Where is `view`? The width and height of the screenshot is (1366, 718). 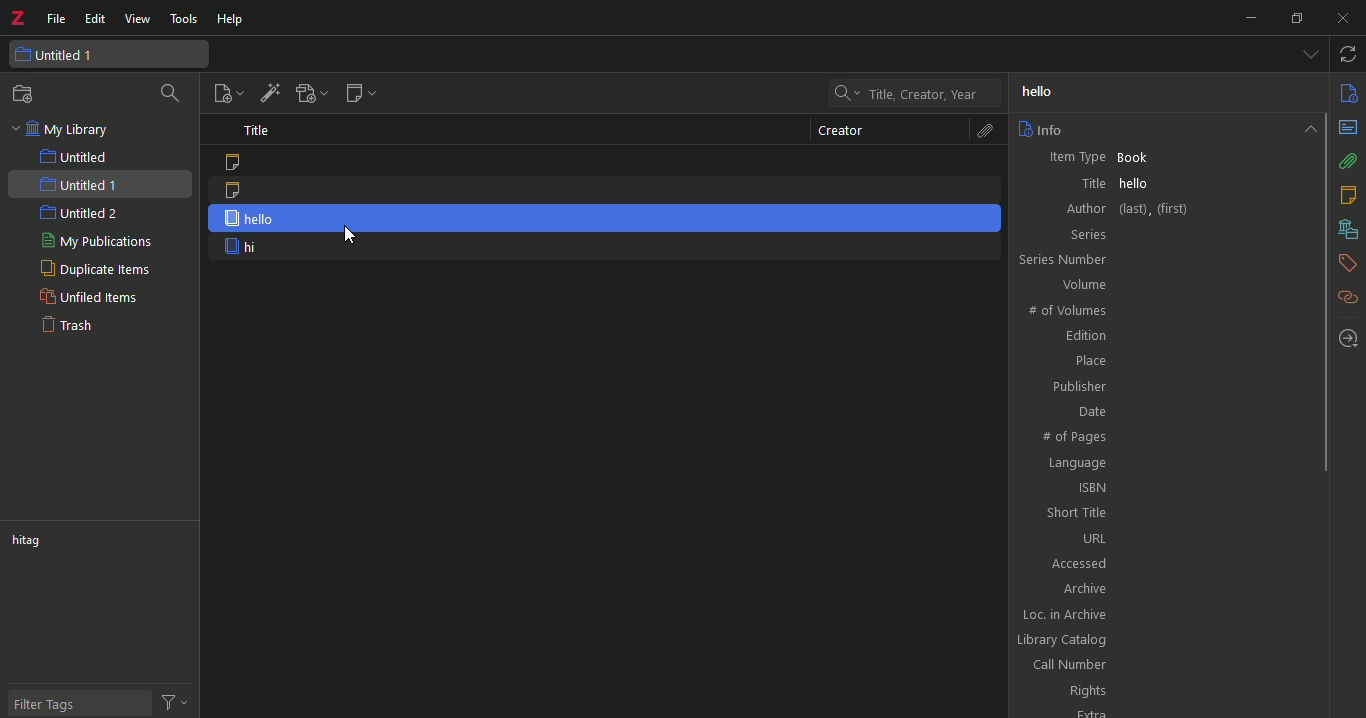
view is located at coordinates (142, 22).